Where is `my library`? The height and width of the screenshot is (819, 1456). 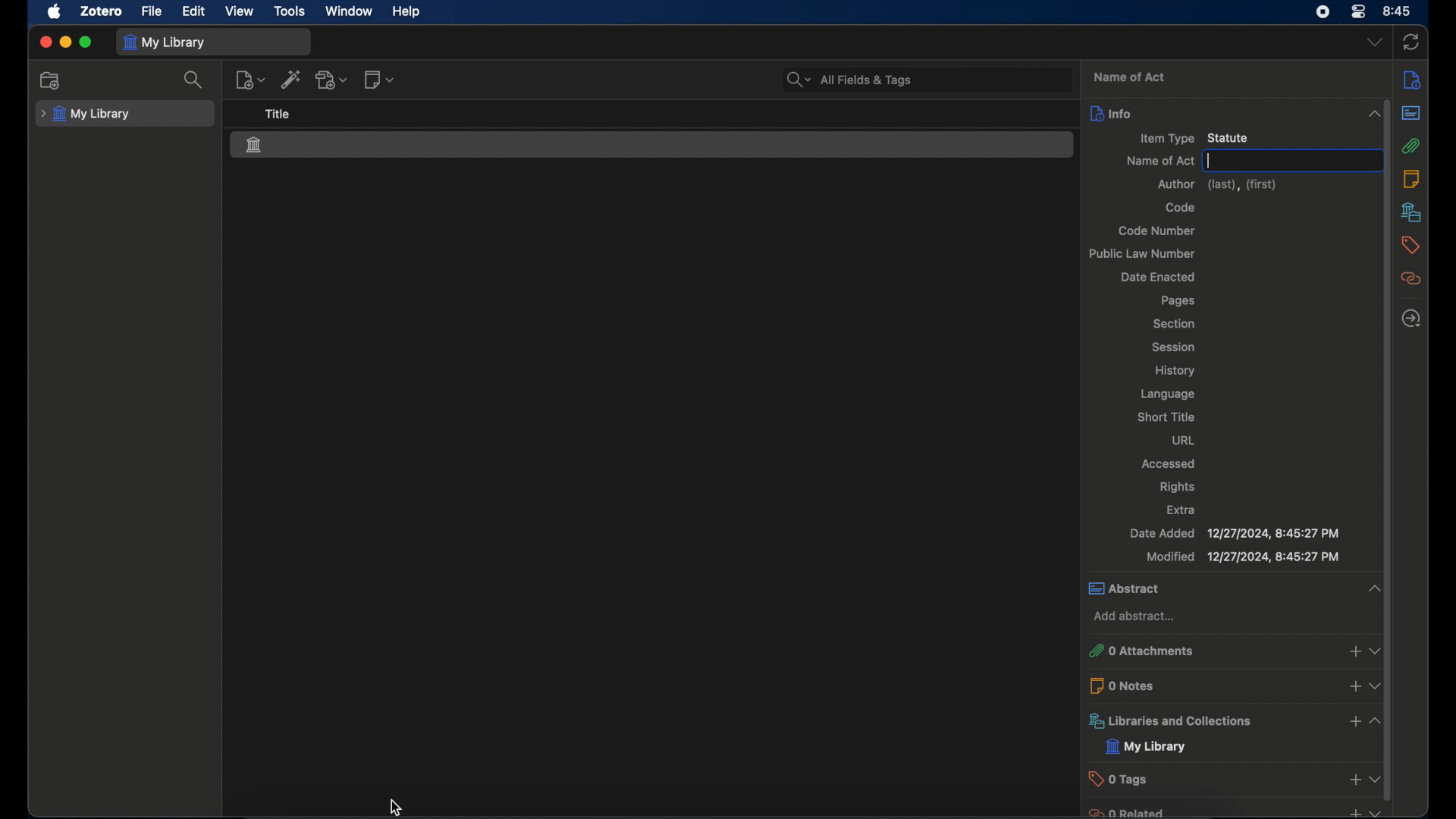 my library is located at coordinates (87, 115).